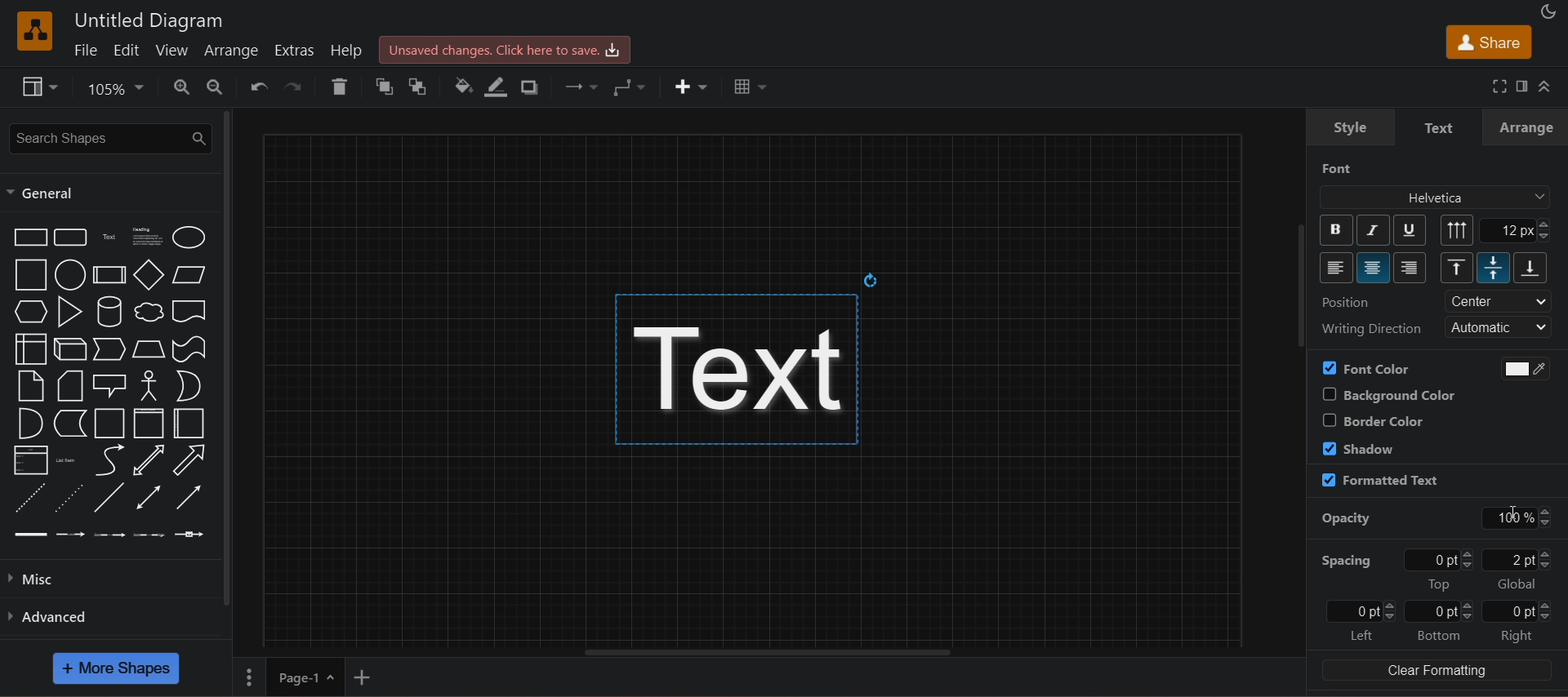  What do you see at coordinates (1379, 481) in the screenshot?
I see `formatted text` at bounding box center [1379, 481].